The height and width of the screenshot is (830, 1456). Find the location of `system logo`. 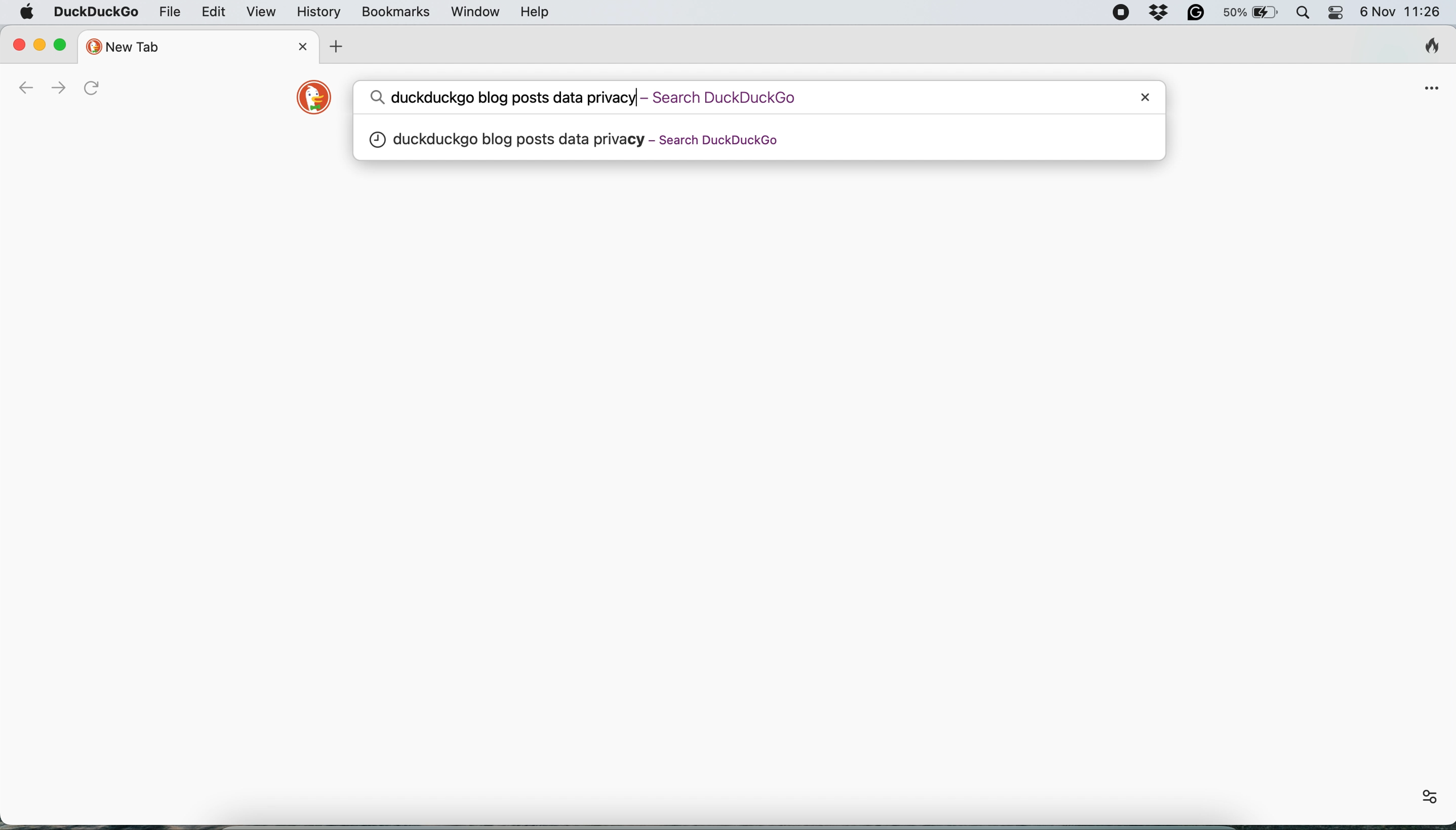

system logo is located at coordinates (29, 14).